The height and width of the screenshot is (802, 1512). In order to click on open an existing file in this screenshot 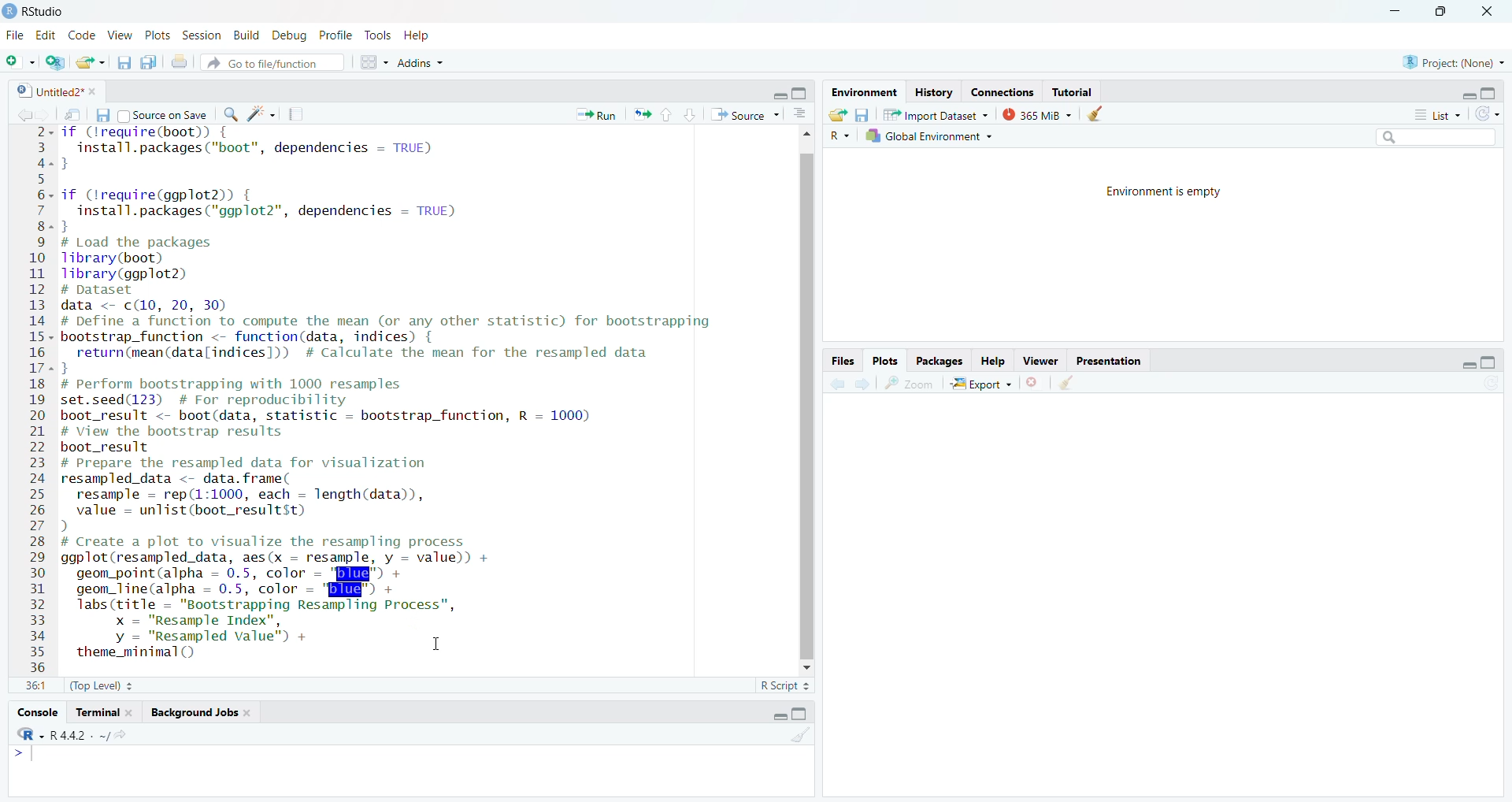, I will do `click(91, 61)`.